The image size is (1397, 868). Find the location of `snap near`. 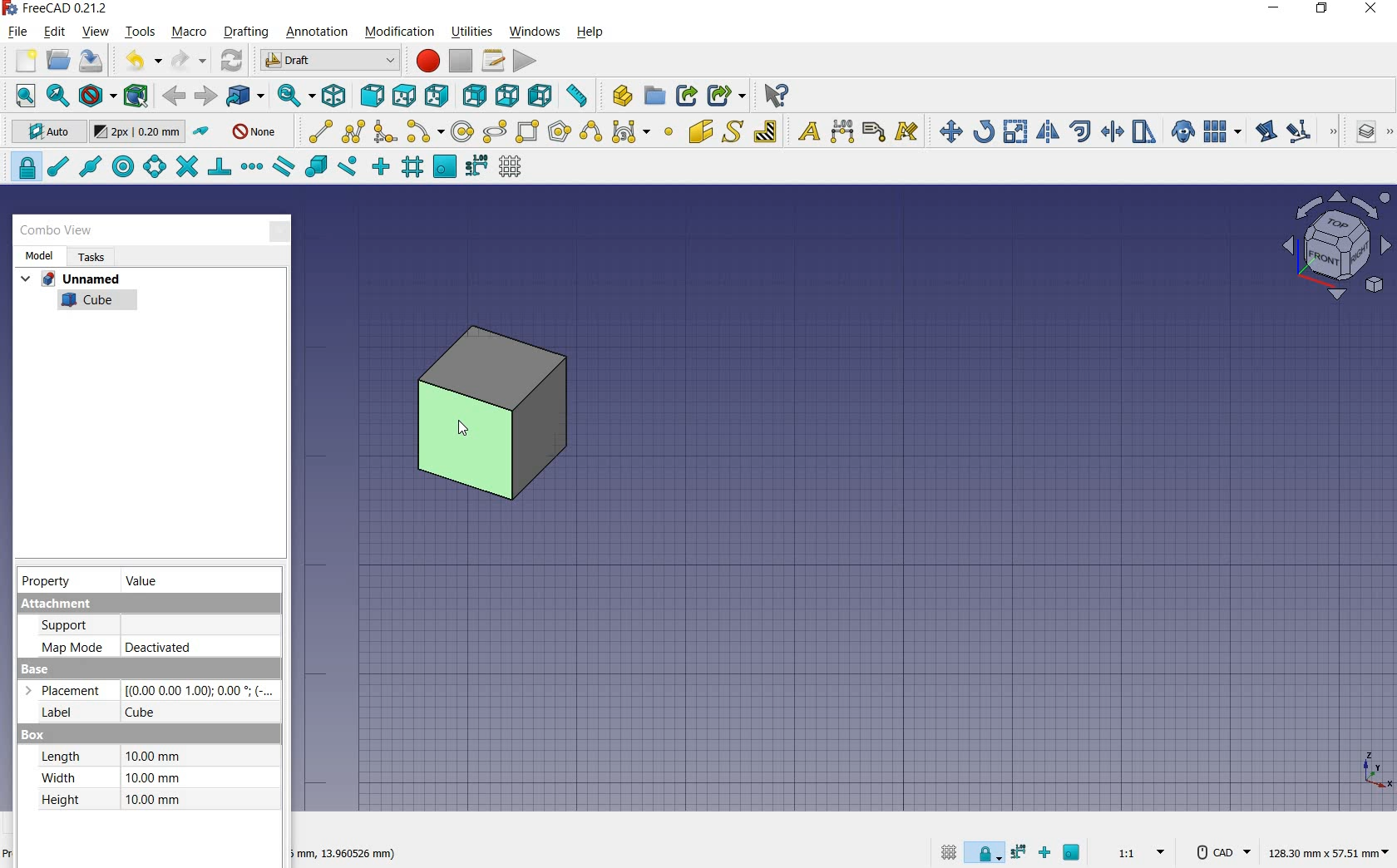

snap near is located at coordinates (348, 166).